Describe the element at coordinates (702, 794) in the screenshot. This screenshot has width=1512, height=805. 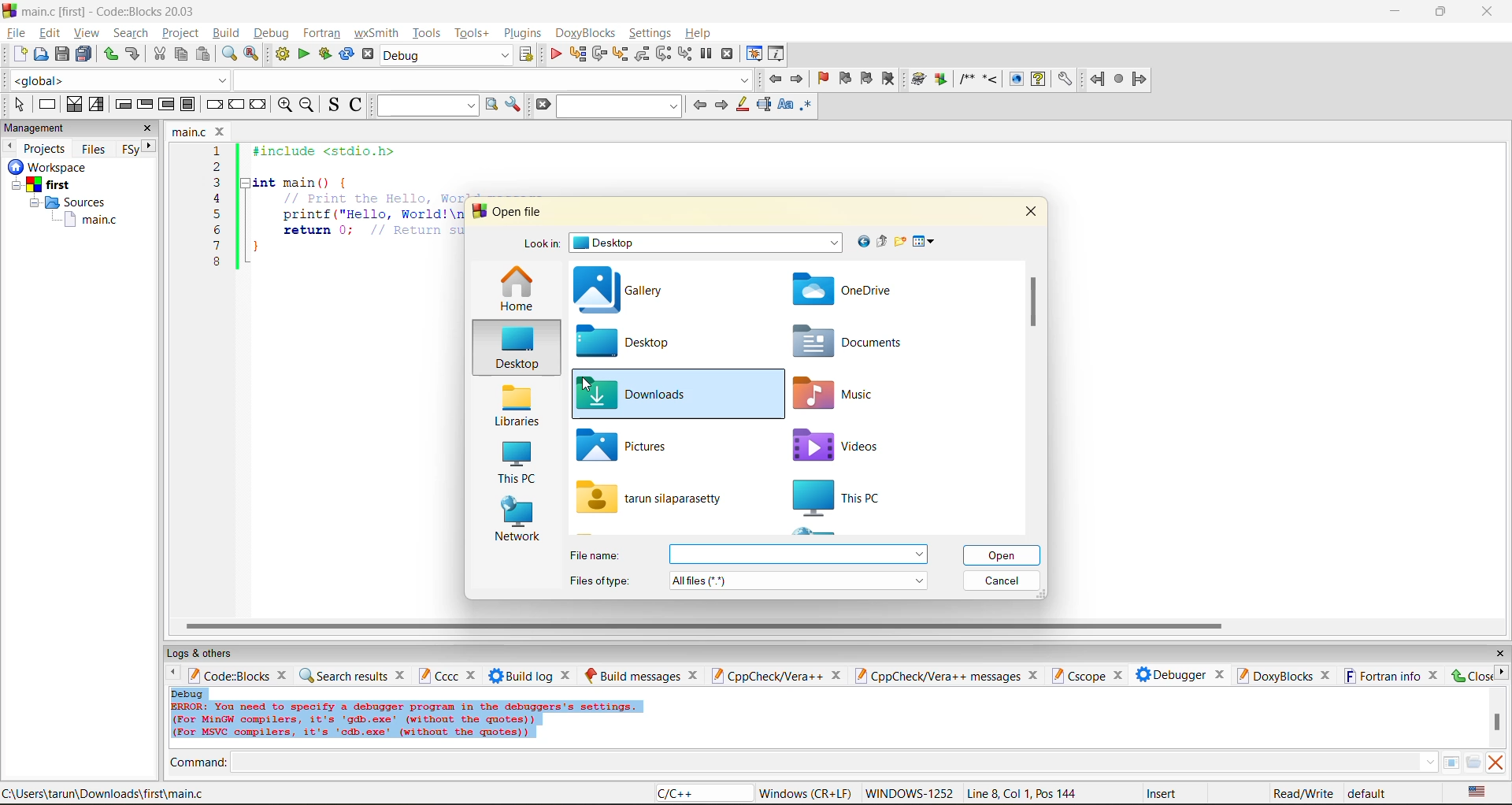
I see `language` at that location.